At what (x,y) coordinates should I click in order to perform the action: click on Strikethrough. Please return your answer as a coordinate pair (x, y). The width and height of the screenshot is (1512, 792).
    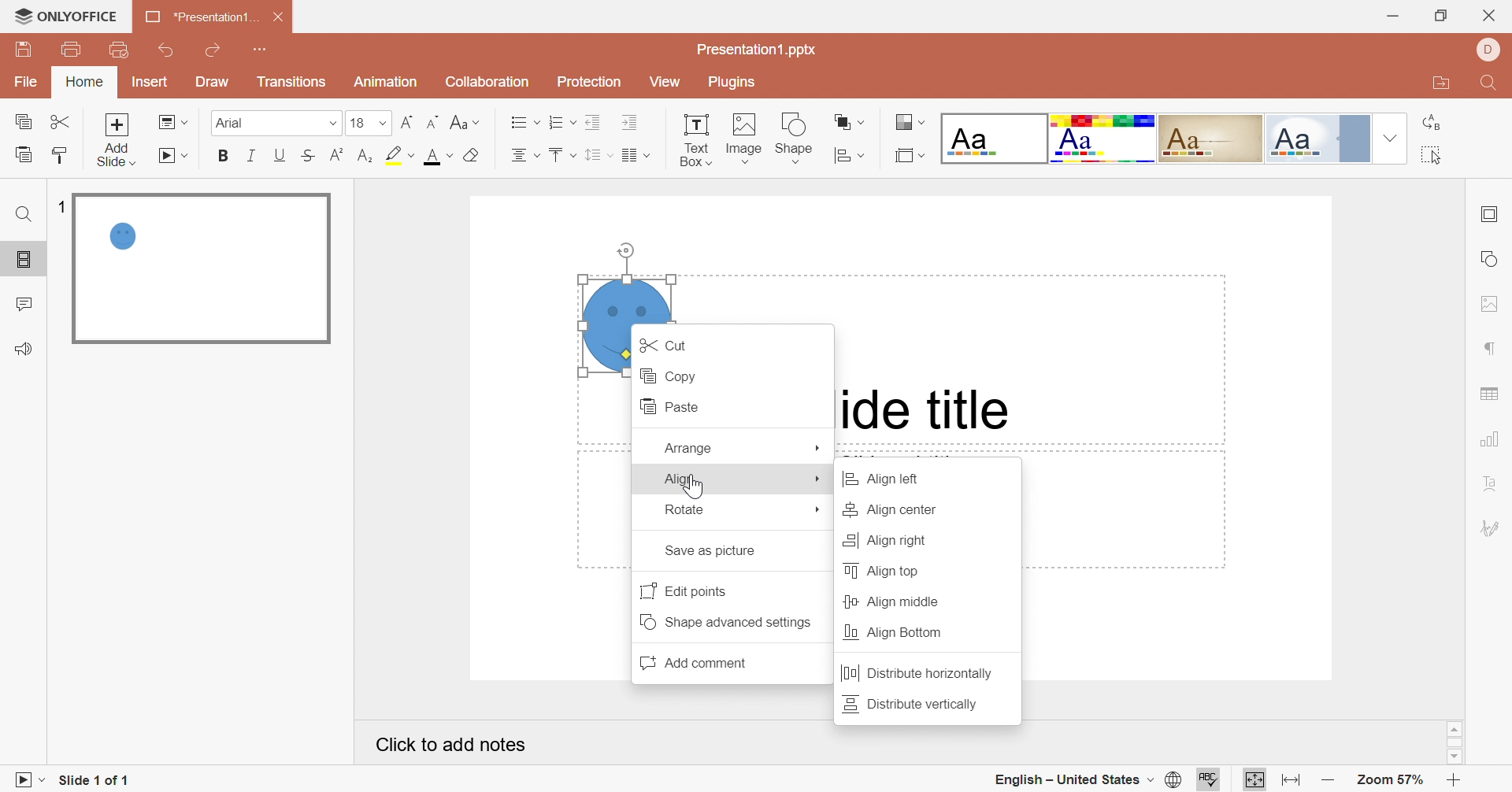
    Looking at the image, I should click on (306, 156).